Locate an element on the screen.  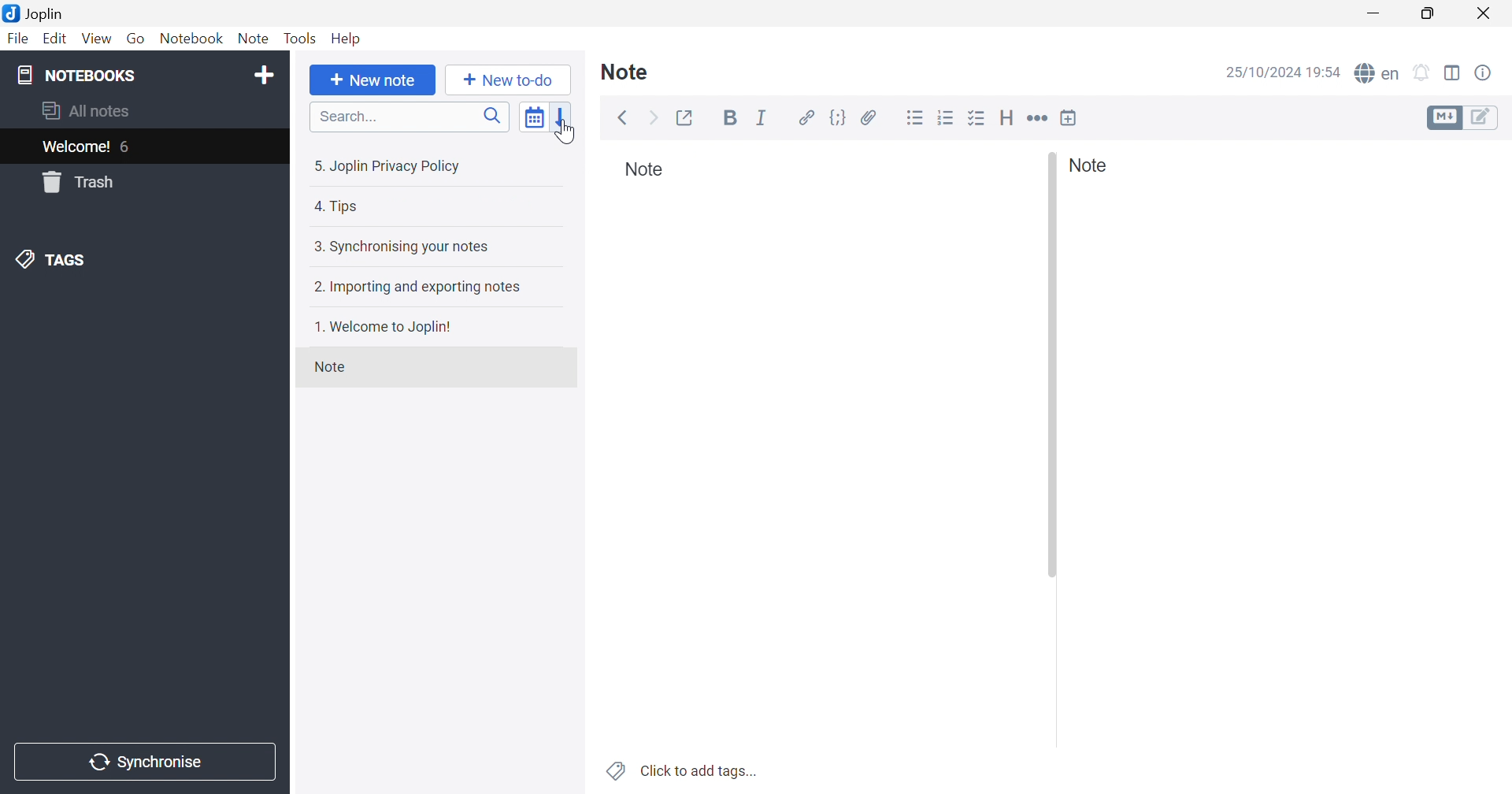
Code is located at coordinates (836, 118).